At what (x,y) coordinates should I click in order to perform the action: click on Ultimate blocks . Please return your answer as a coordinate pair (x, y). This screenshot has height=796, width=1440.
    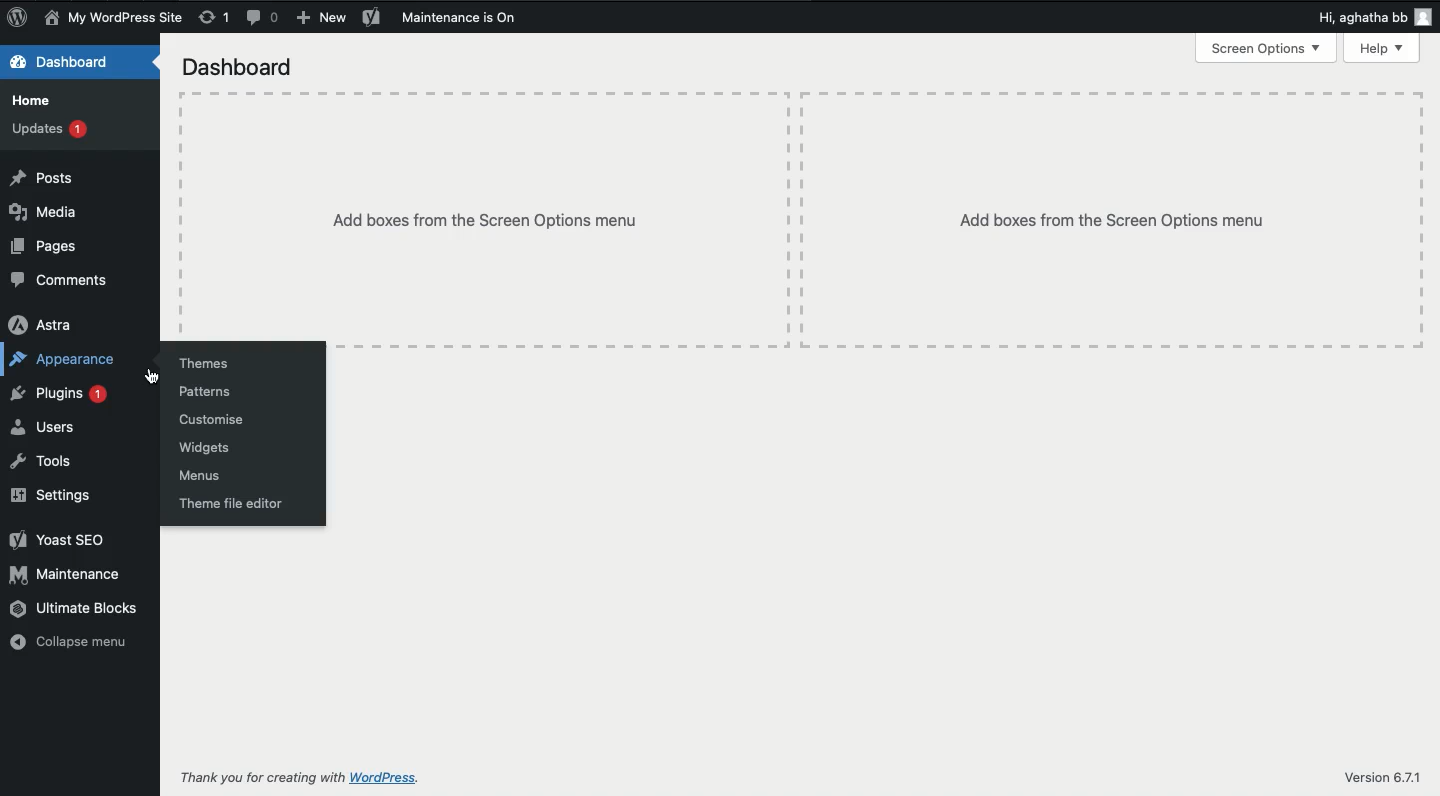
    Looking at the image, I should click on (75, 610).